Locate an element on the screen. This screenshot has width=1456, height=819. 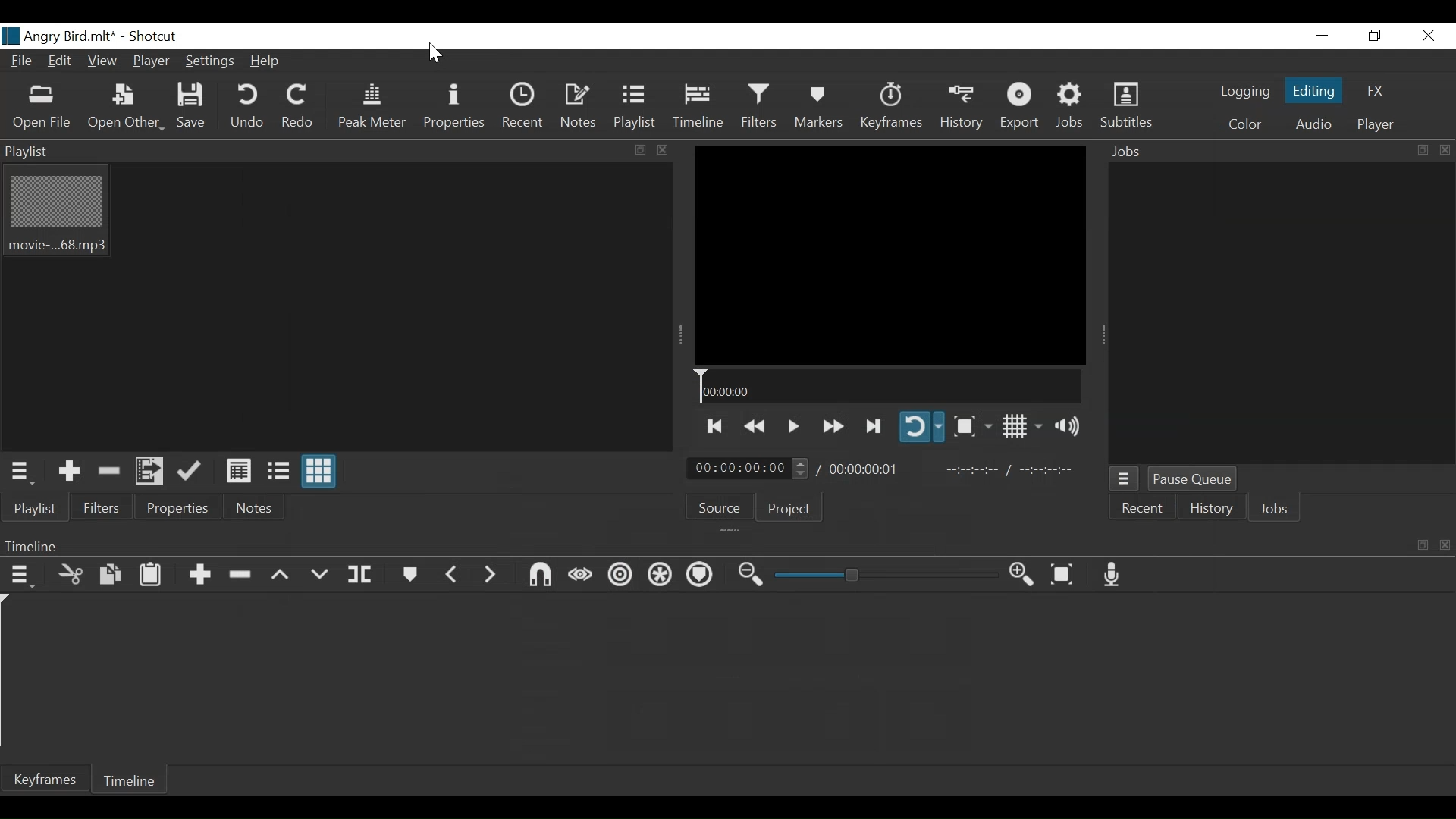
Source is located at coordinates (722, 507).